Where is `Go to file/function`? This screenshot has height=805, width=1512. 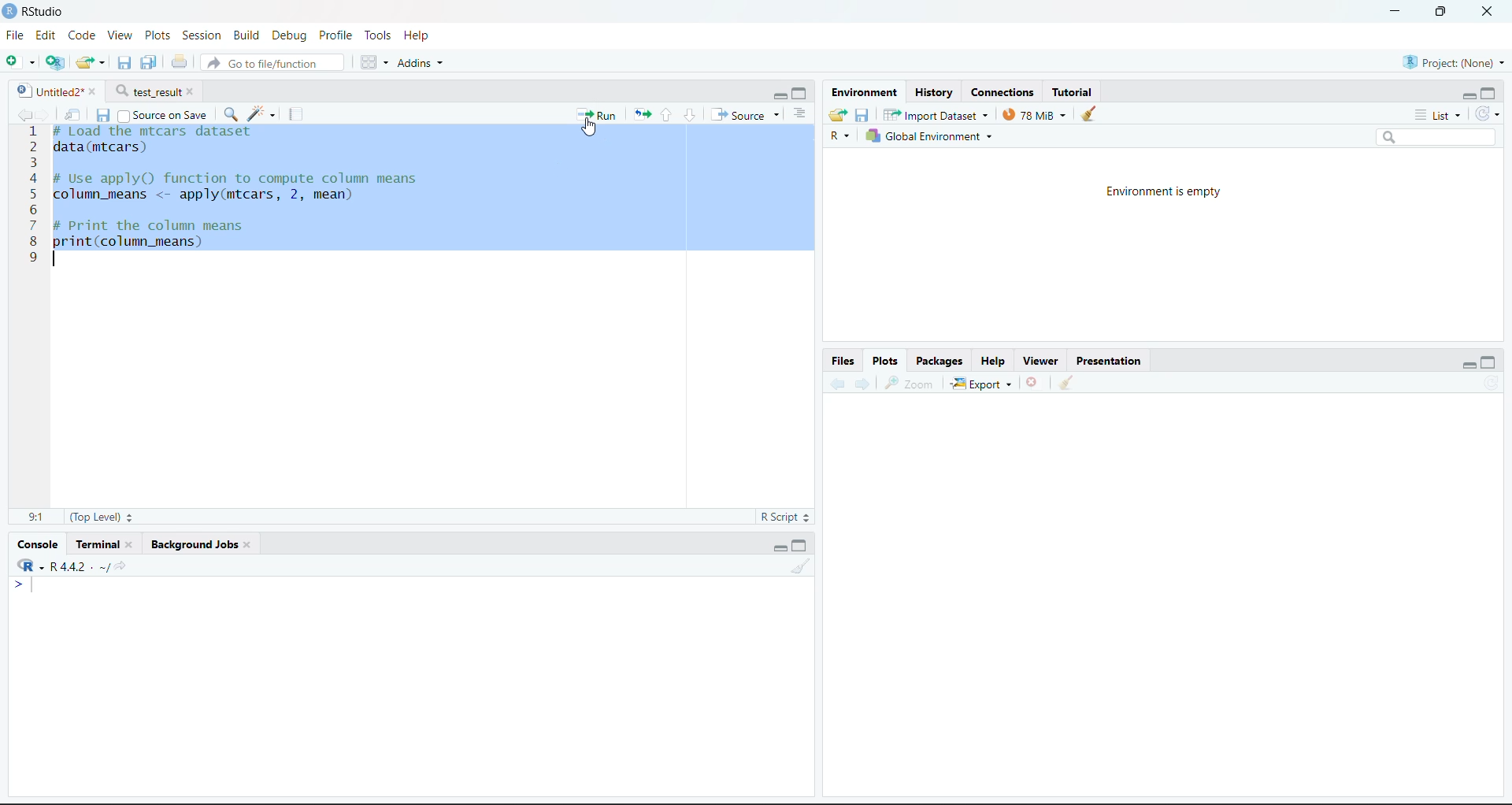
Go to file/function is located at coordinates (273, 63).